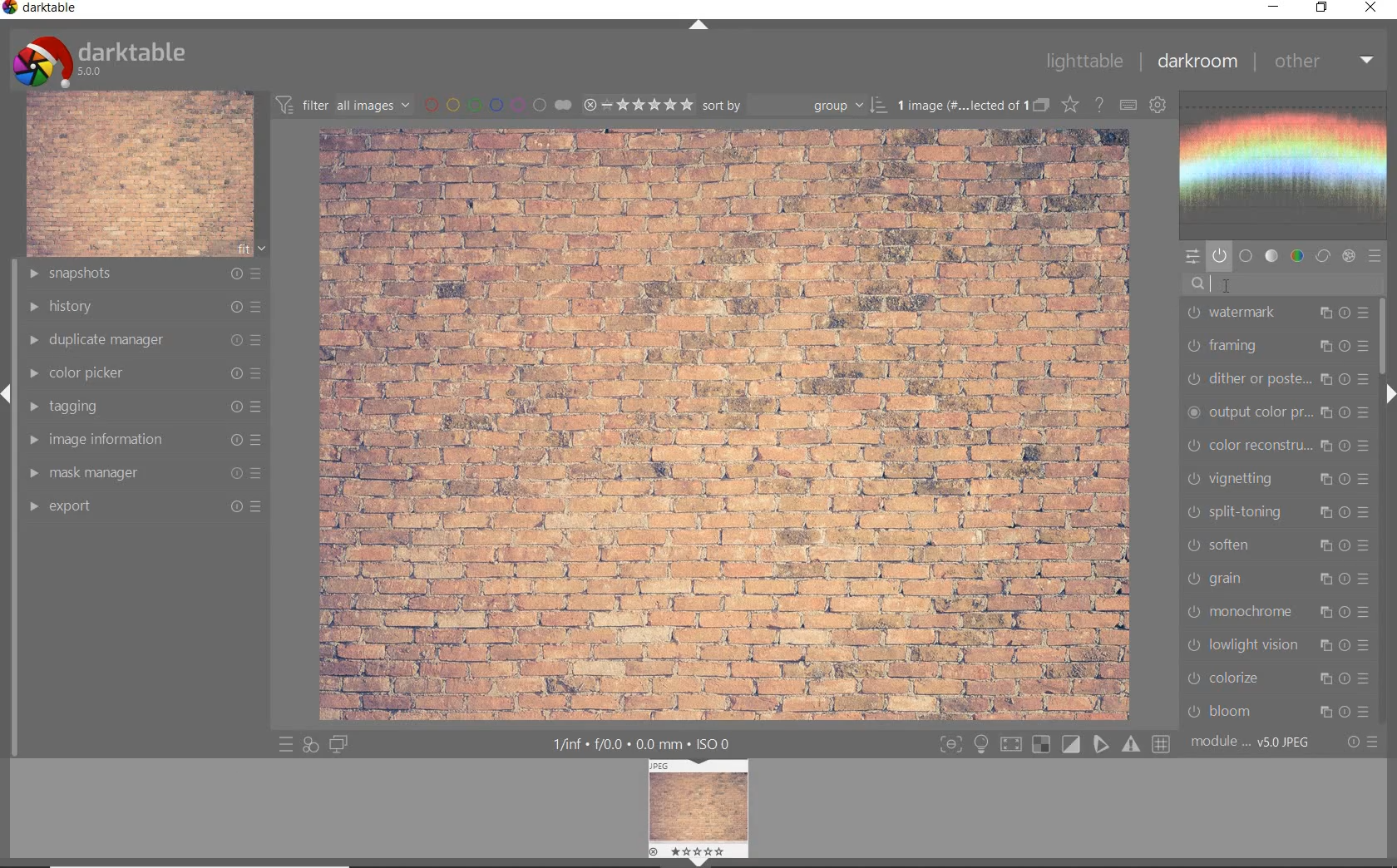  I want to click on split toning, so click(1279, 513).